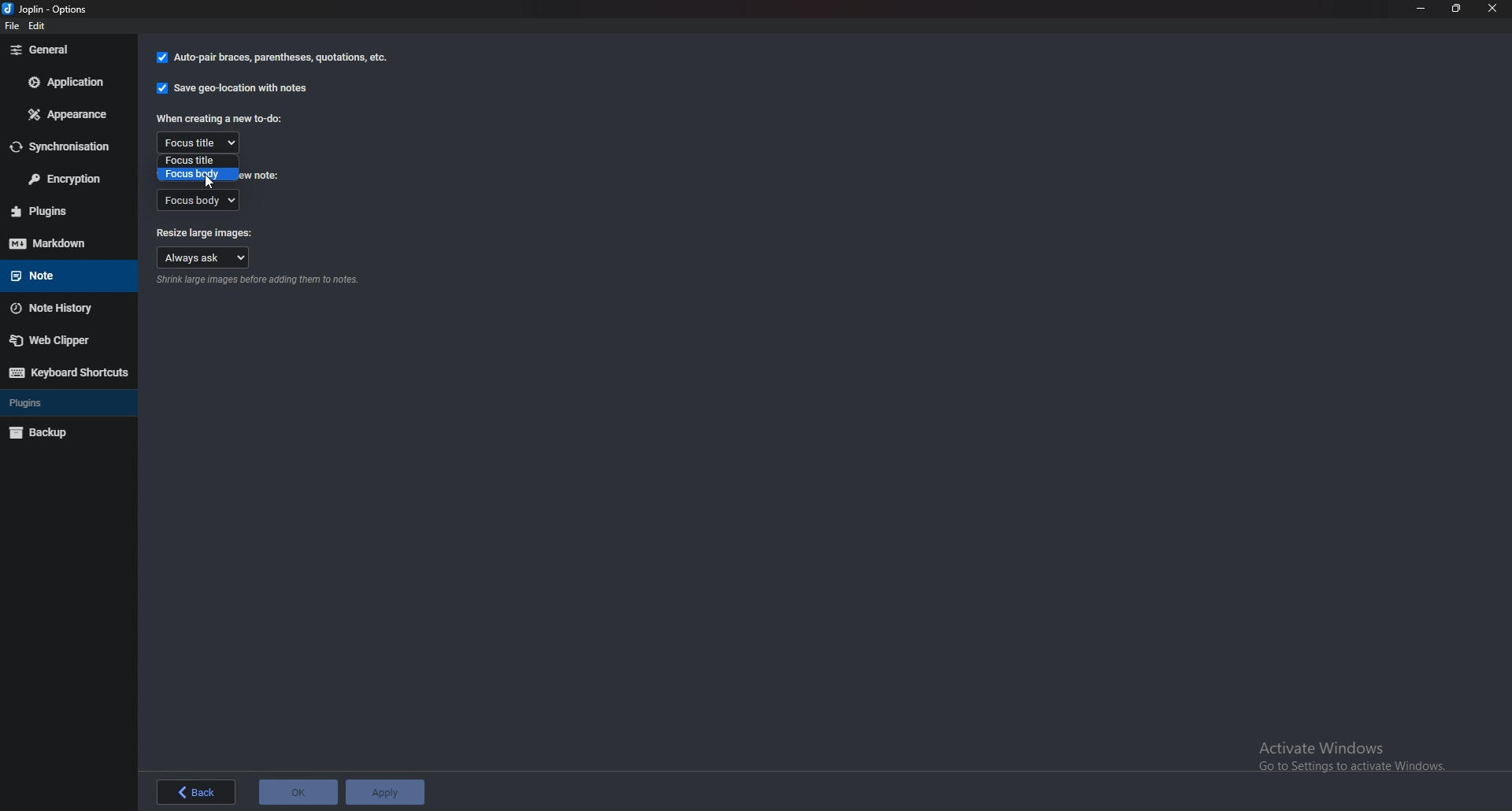  What do you see at coordinates (65, 431) in the screenshot?
I see `Back up` at bounding box center [65, 431].